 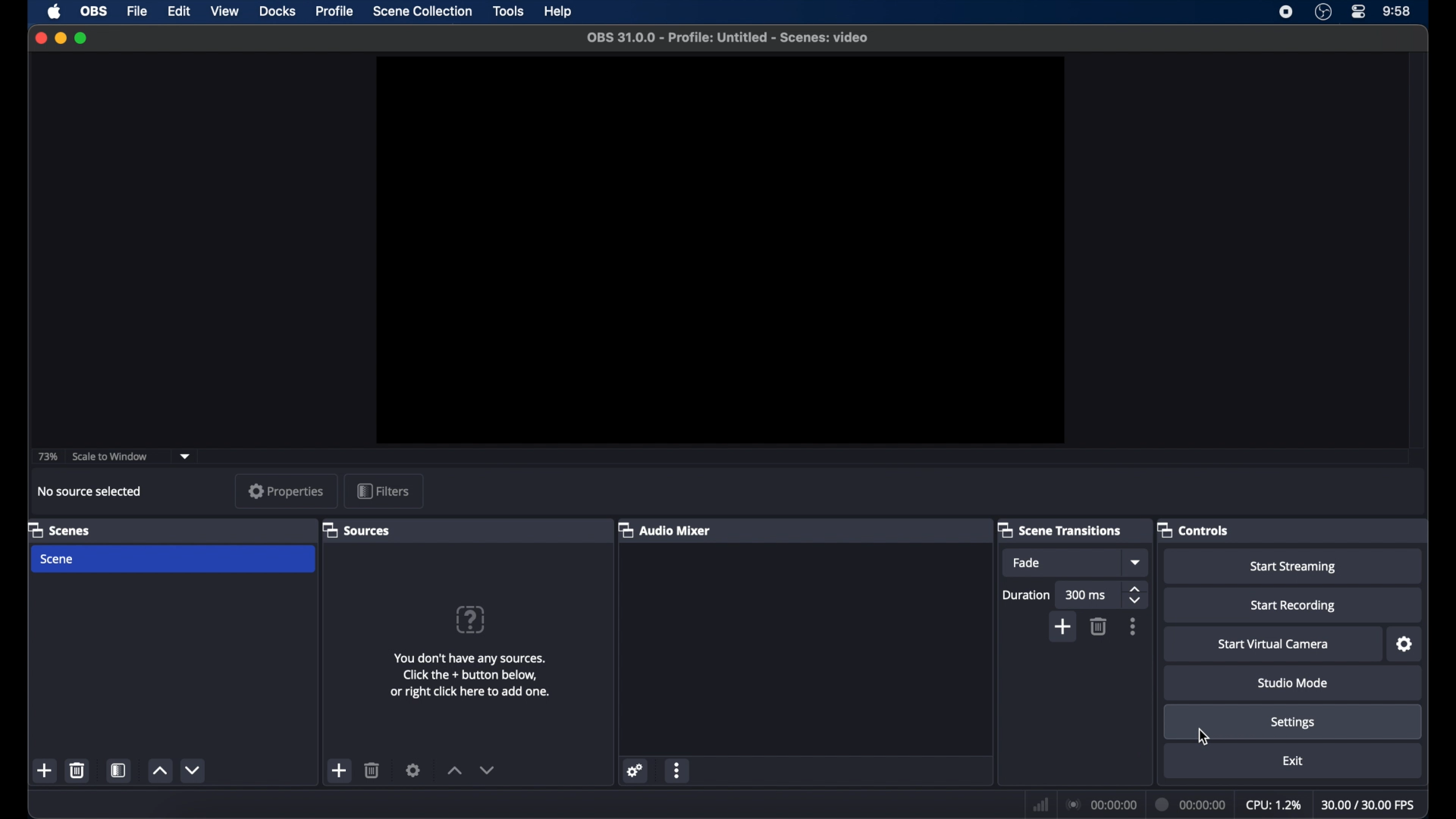 What do you see at coordinates (46, 457) in the screenshot?
I see `73%` at bounding box center [46, 457].